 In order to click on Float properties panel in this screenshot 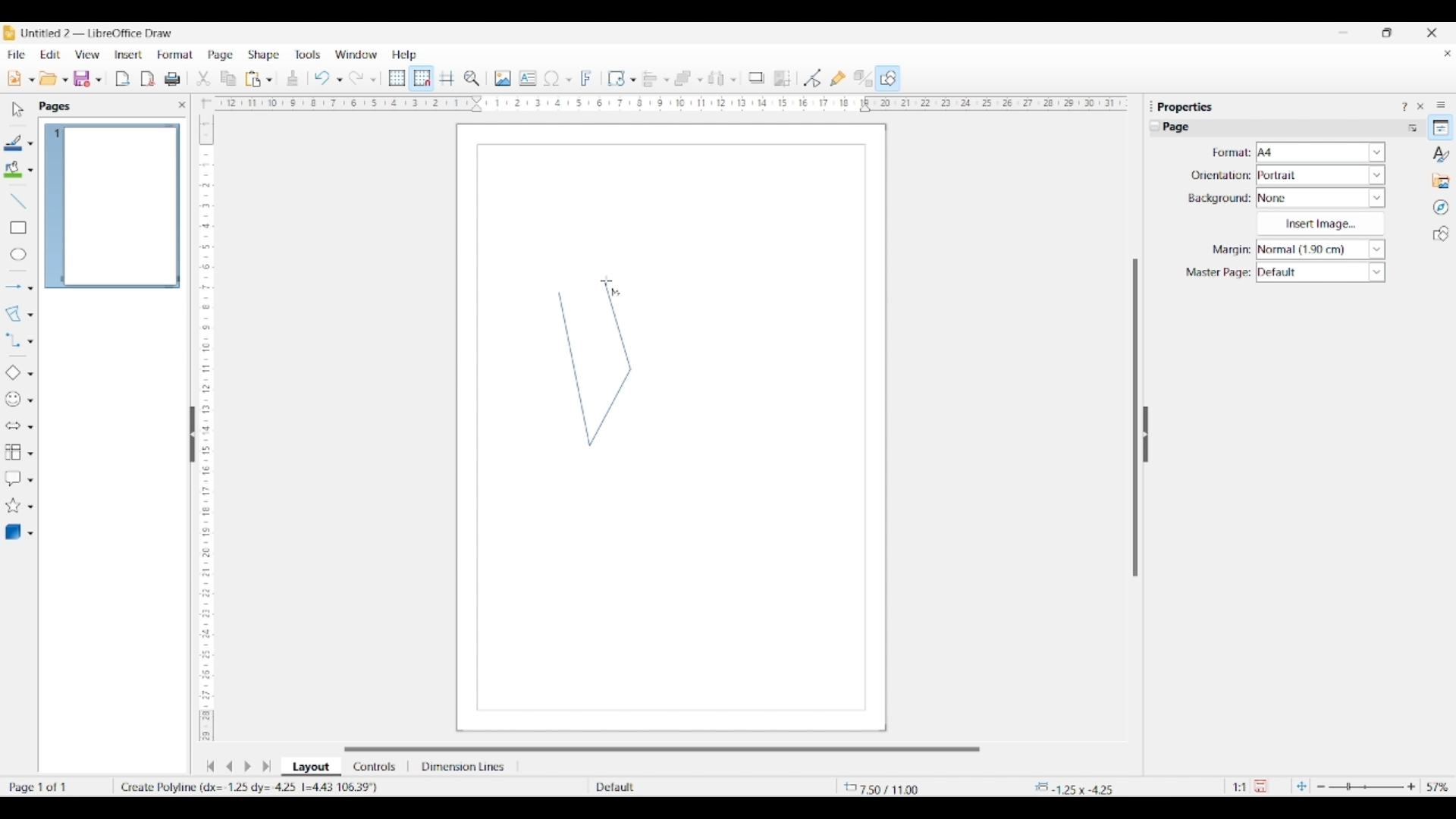, I will do `click(1151, 106)`.